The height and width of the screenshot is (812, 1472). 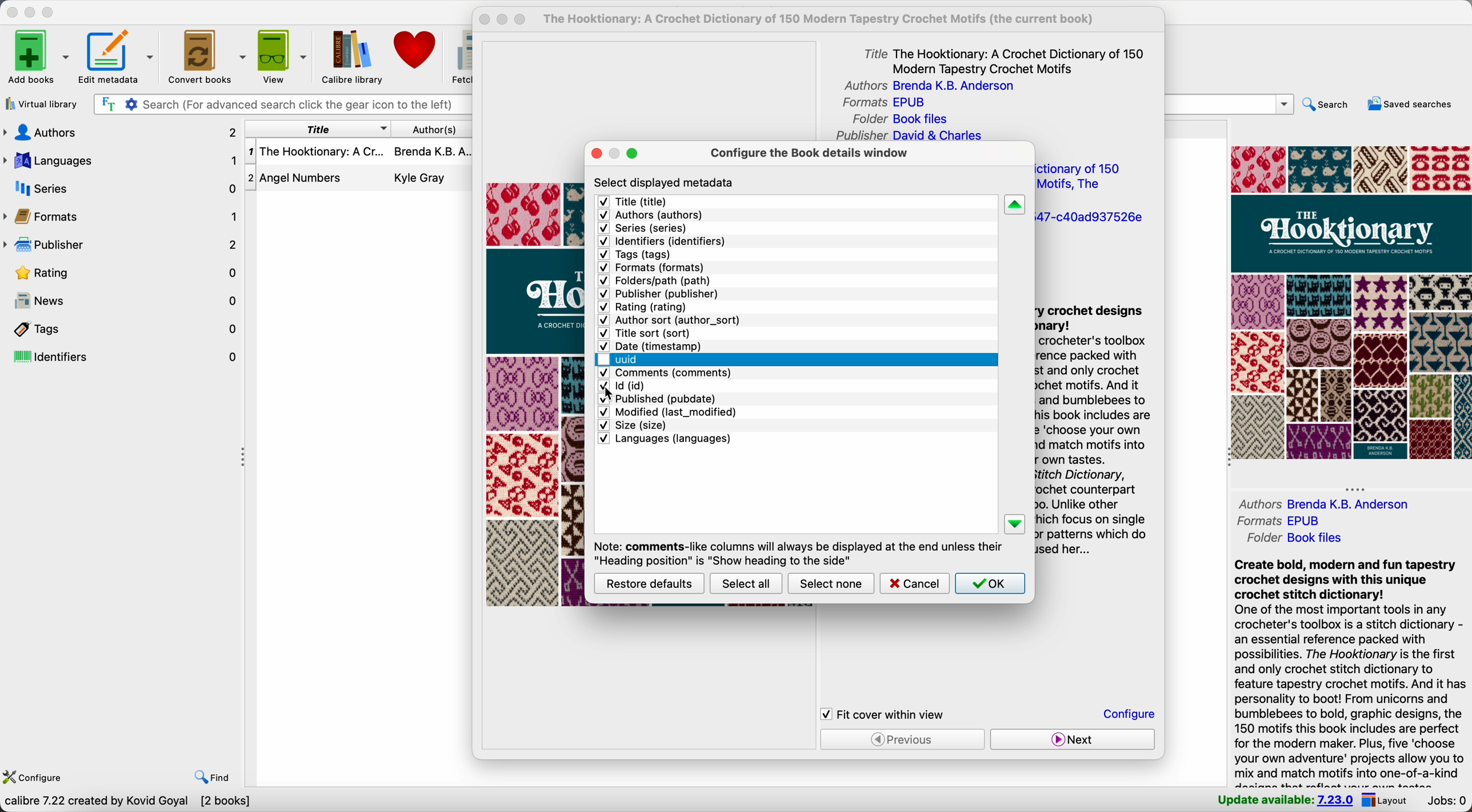 I want to click on maximize, so click(x=632, y=153).